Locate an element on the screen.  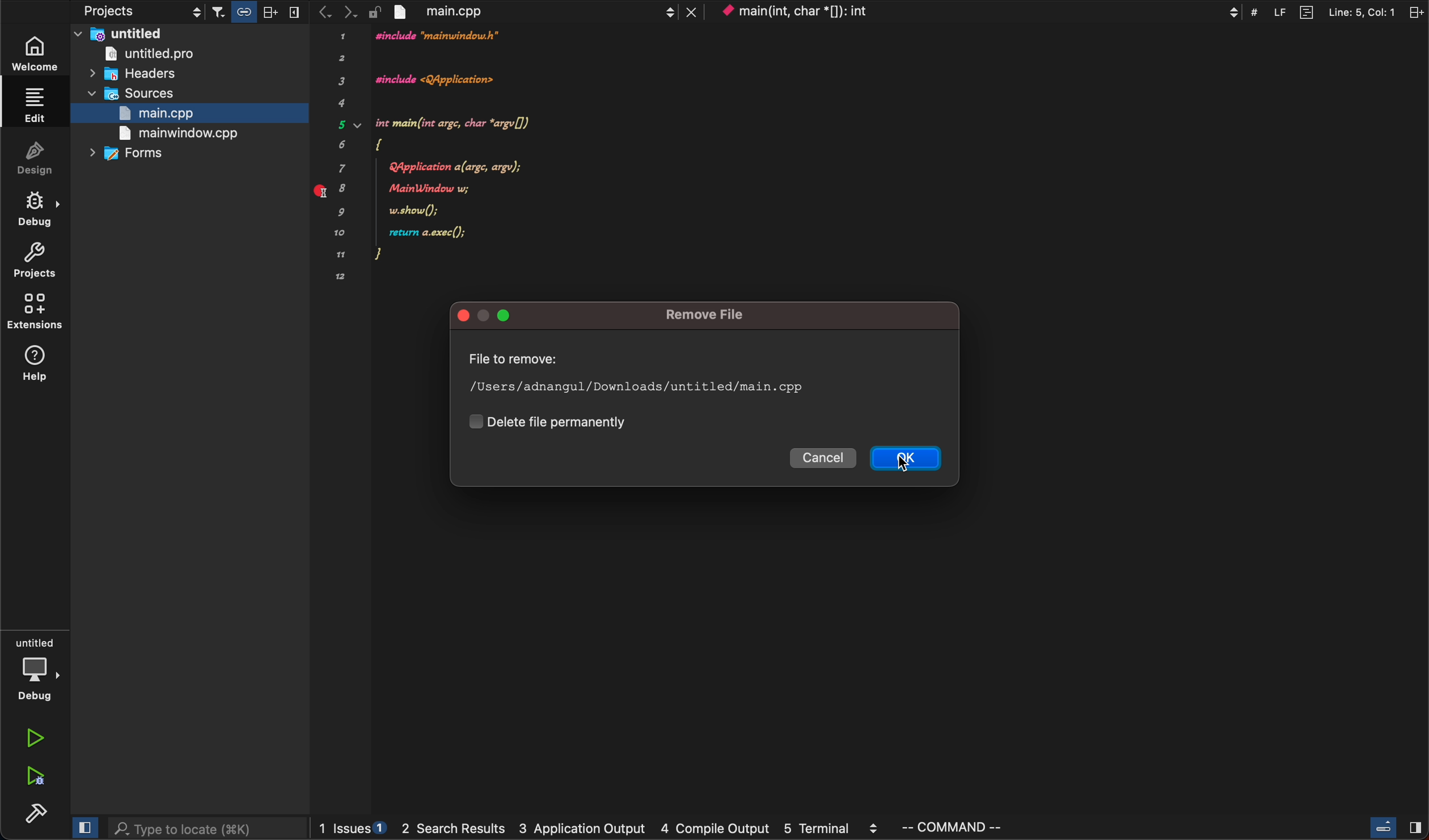
filter is located at coordinates (256, 11).